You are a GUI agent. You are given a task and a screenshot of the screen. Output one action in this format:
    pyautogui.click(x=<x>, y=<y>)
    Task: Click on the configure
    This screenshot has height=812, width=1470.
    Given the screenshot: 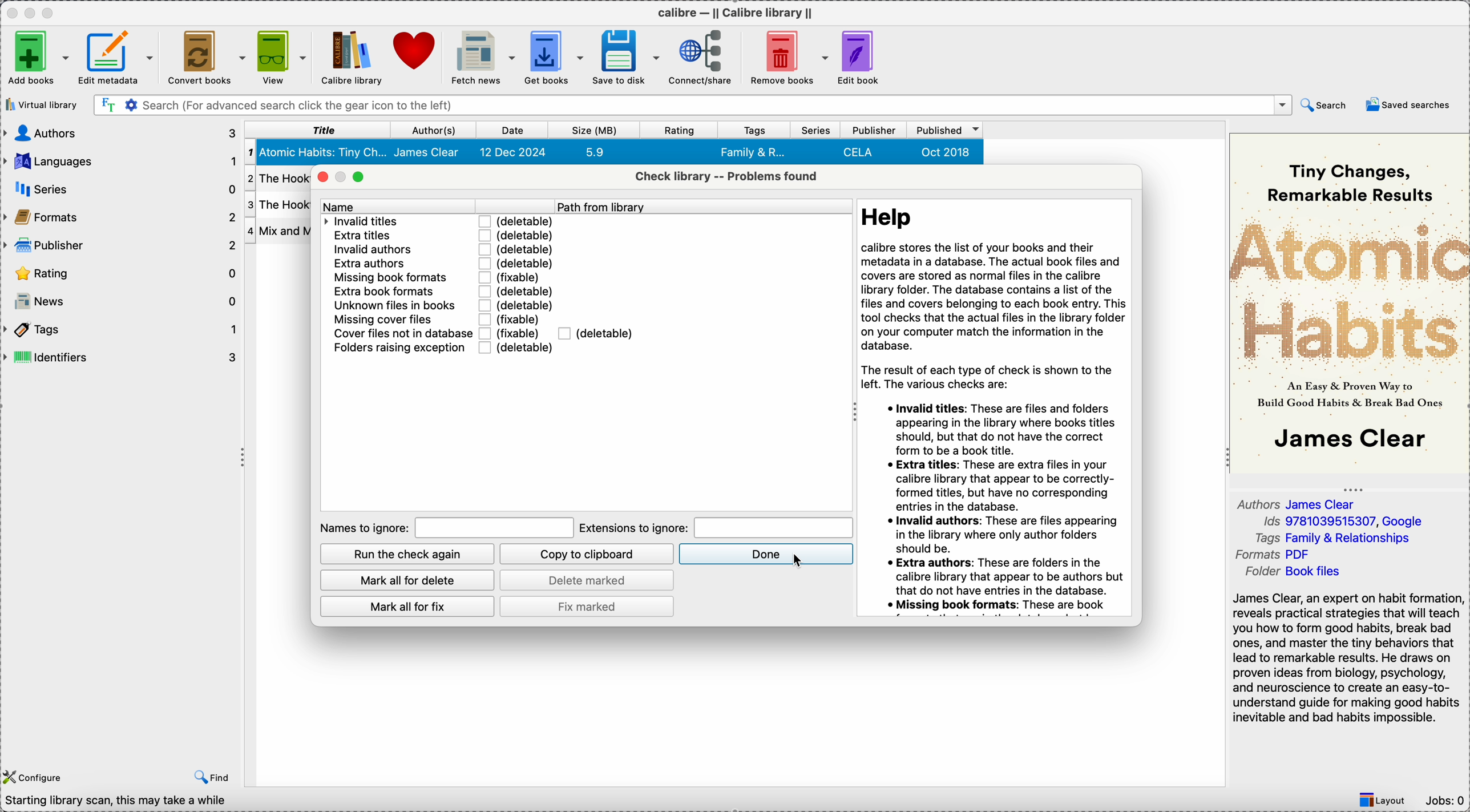 What is the action you would take?
    pyautogui.click(x=34, y=777)
    